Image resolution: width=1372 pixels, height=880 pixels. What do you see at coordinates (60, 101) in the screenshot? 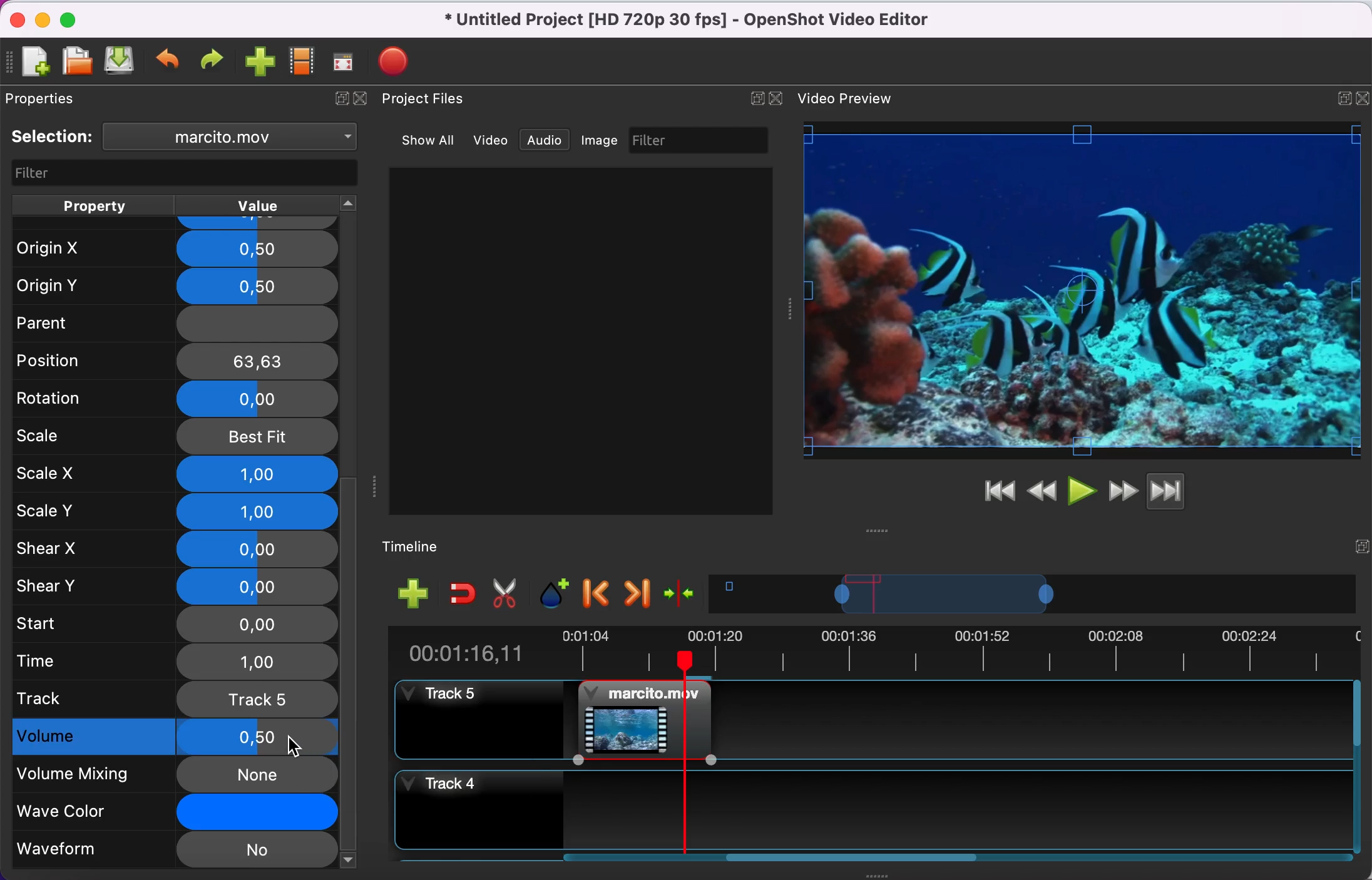
I see `properties` at bounding box center [60, 101].